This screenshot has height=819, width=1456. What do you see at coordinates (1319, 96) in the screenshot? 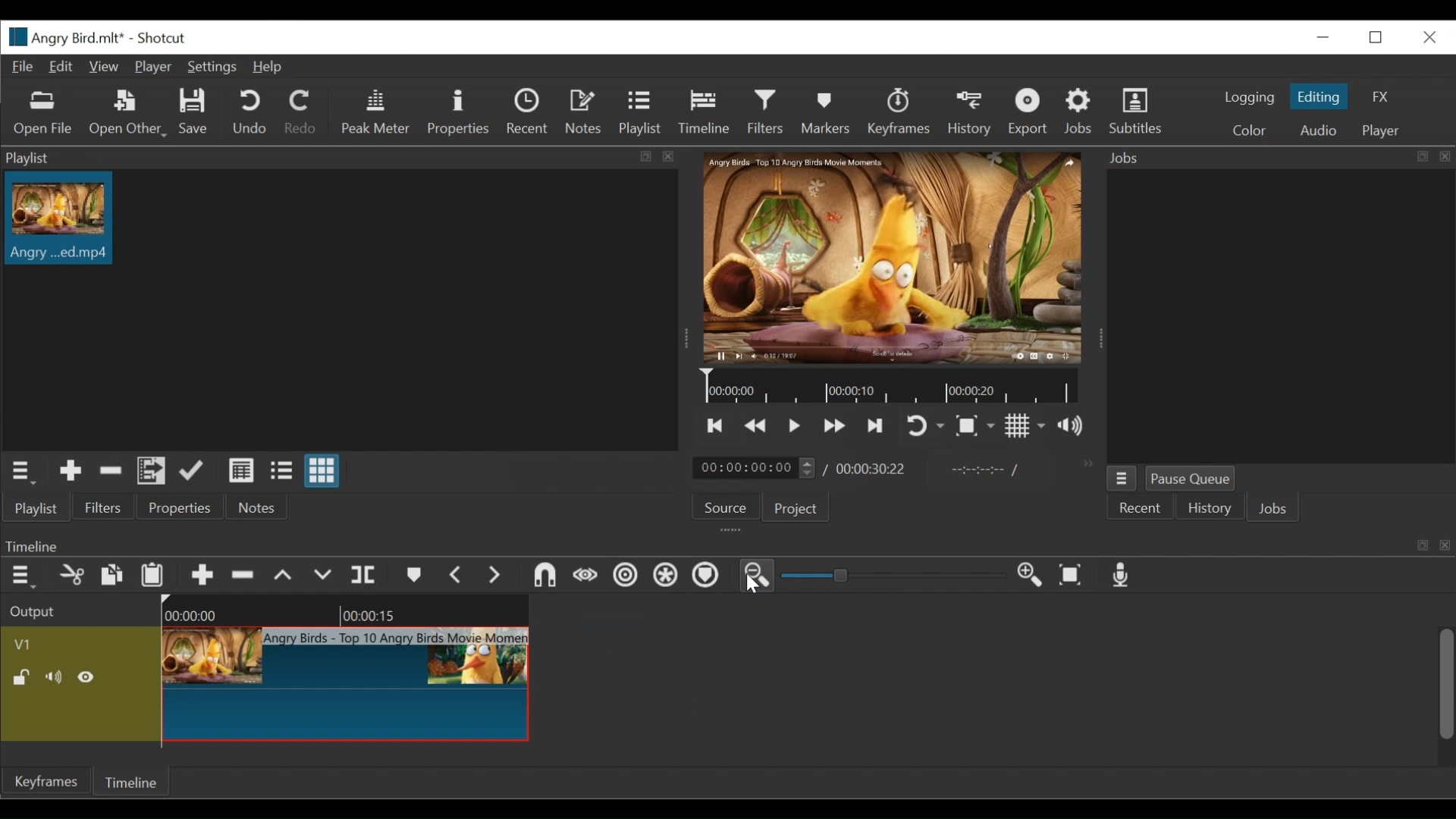
I see `Editing` at bounding box center [1319, 96].